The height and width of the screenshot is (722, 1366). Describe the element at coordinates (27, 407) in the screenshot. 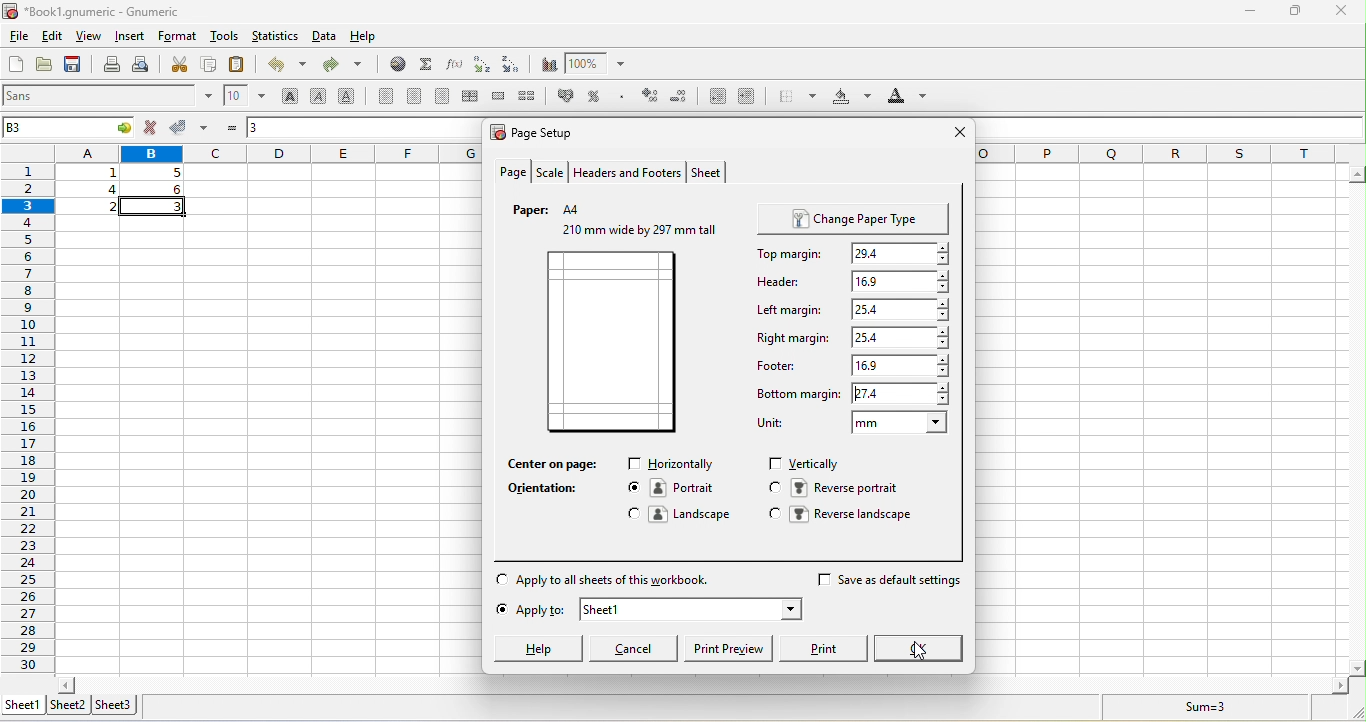

I see `rows` at that location.